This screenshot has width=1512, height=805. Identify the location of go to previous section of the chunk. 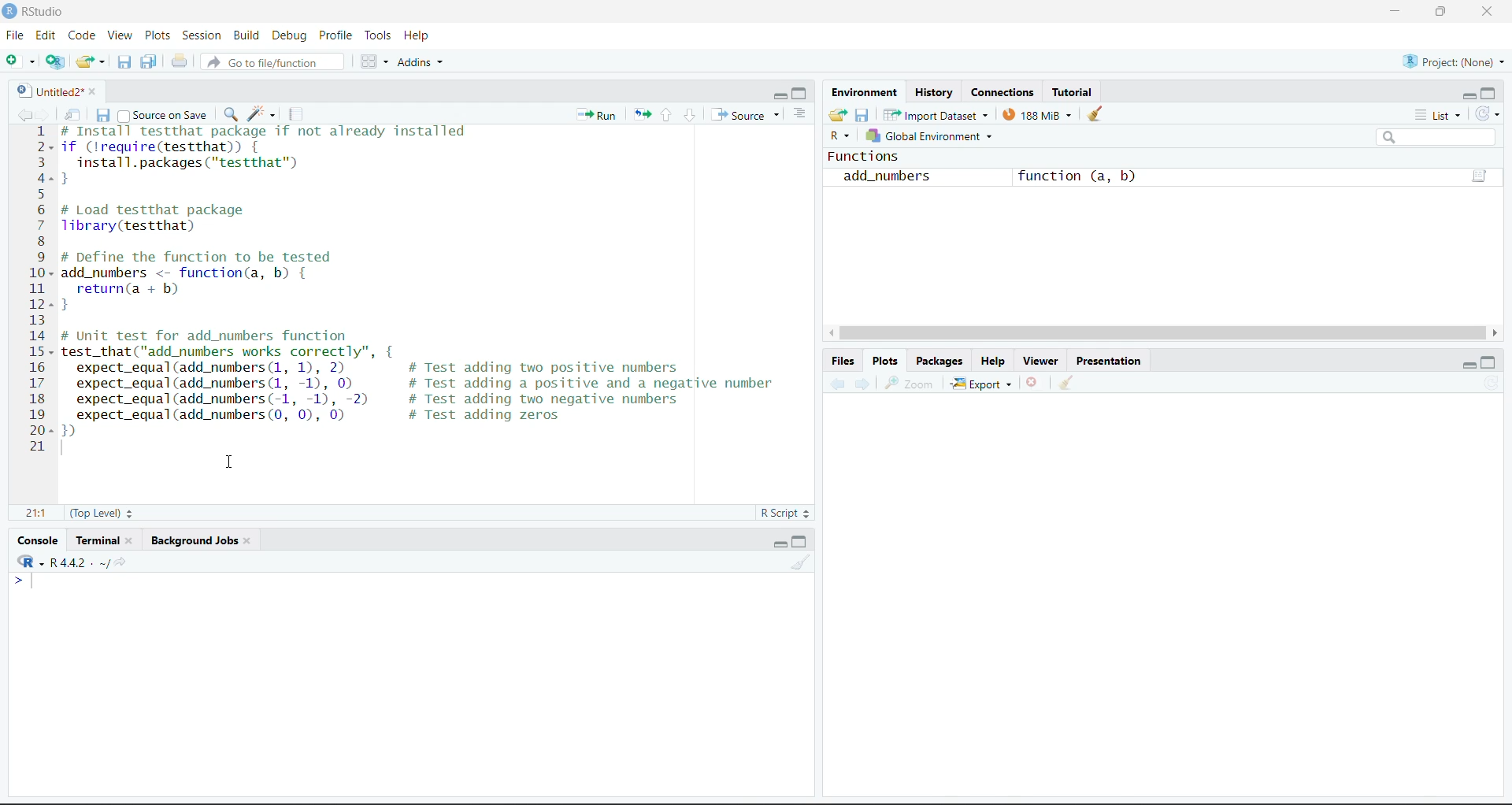
(668, 116).